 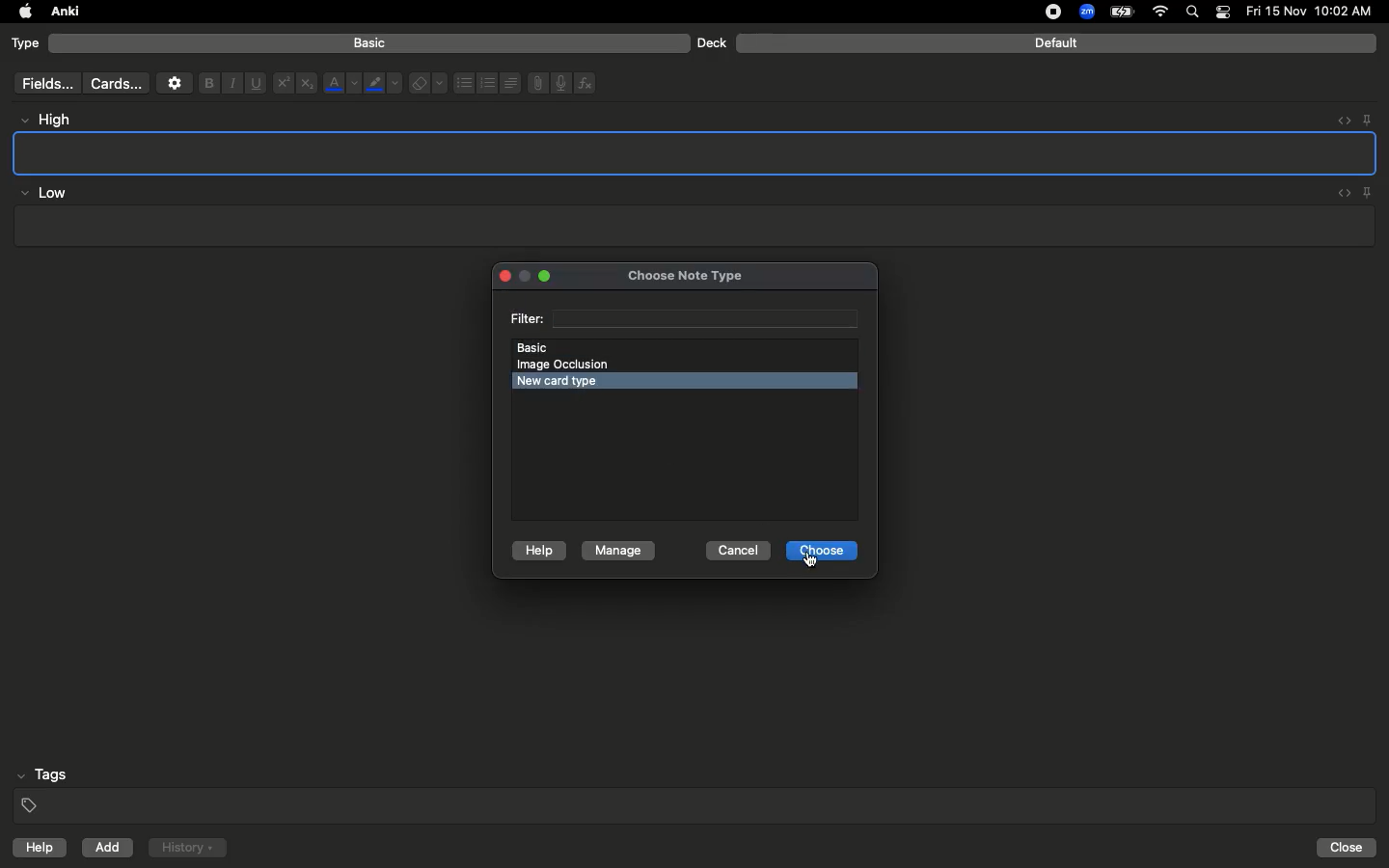 I want to click on Zoom, so click(x=1085, y=13).